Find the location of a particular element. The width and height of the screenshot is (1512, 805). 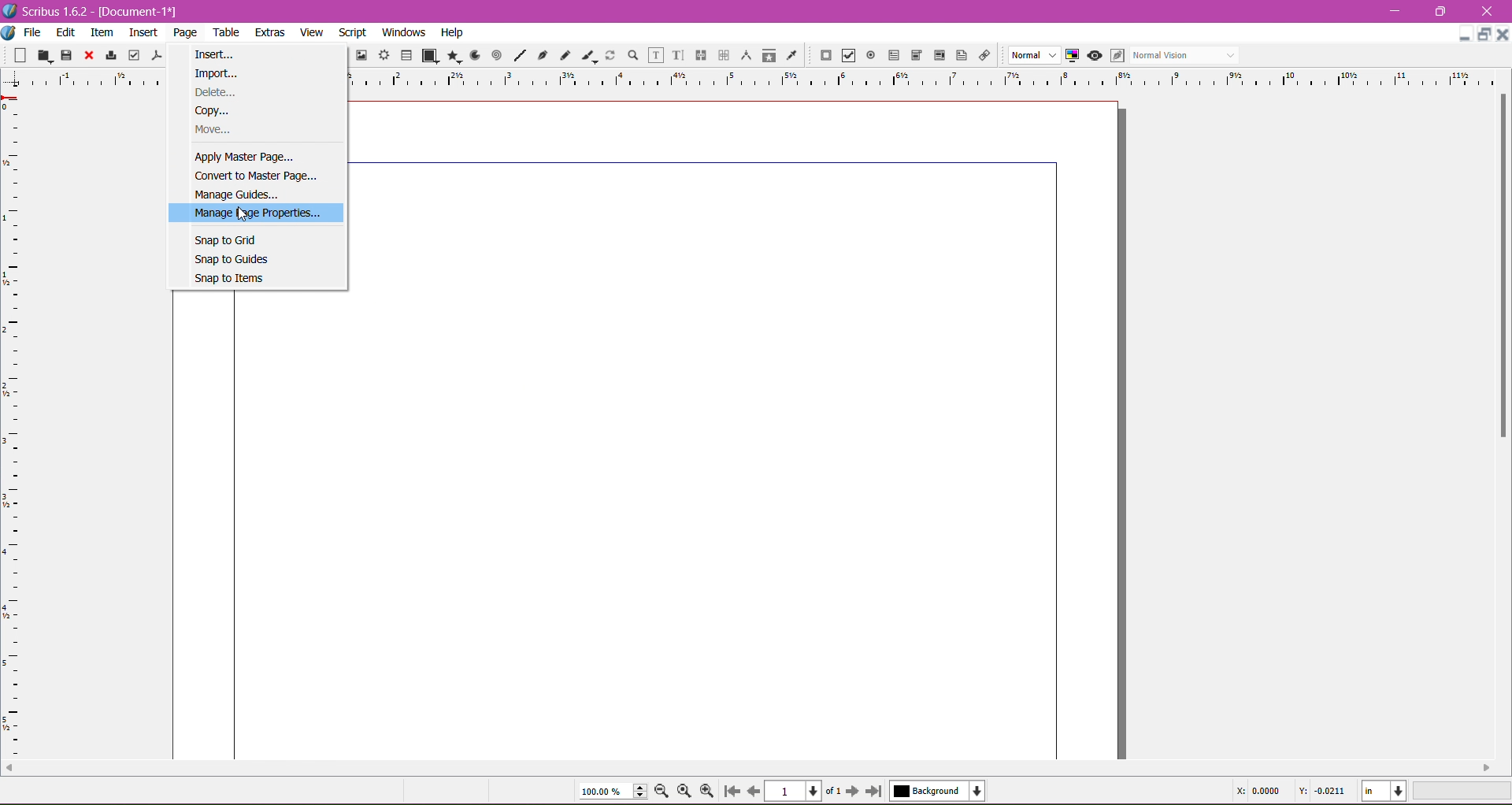

Line is located at coordinates (520, 54).